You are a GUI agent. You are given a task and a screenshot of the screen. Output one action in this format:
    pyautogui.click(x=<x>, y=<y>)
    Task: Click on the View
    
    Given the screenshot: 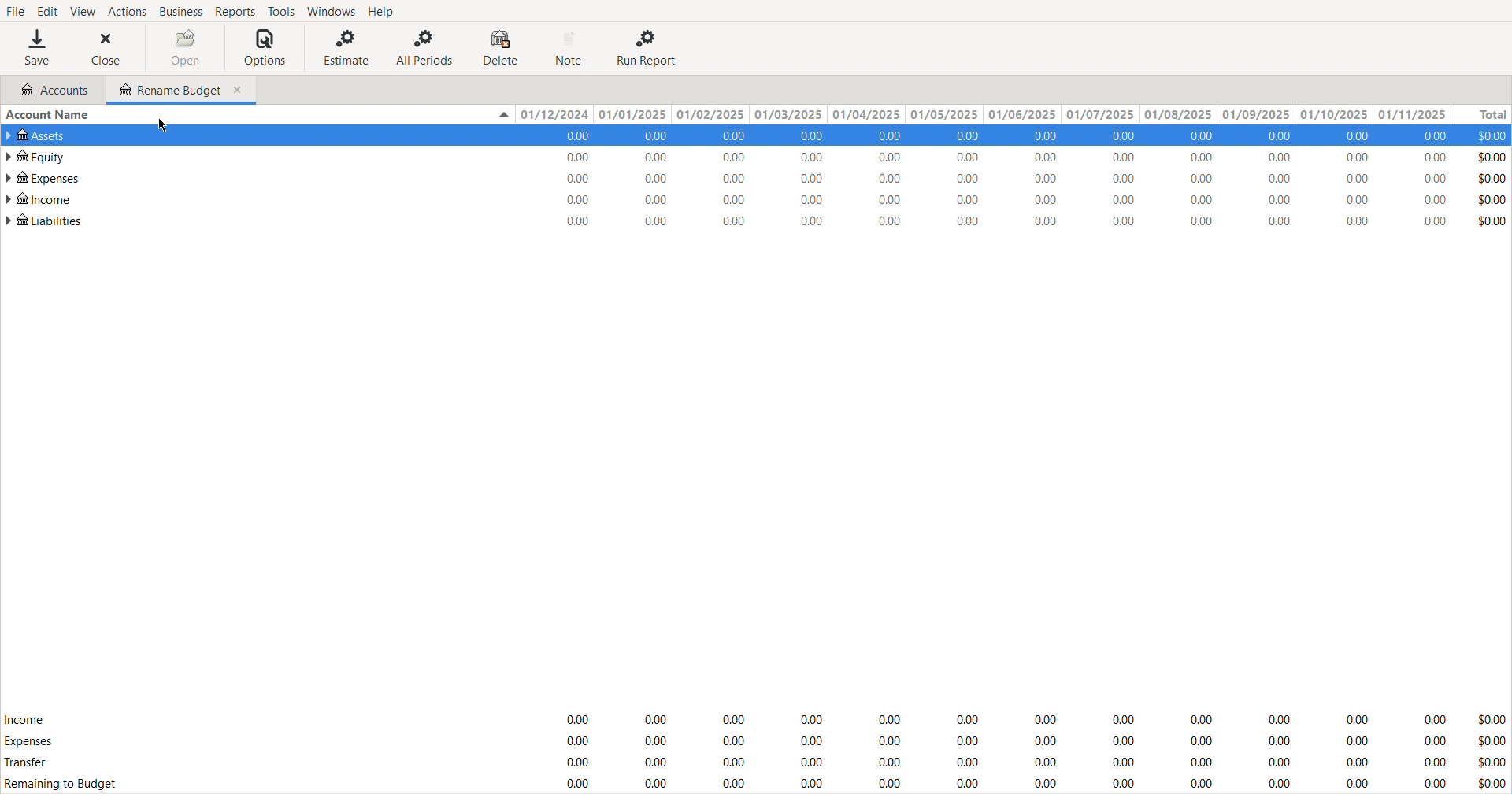 What is the action you would take?
    pyautogui.click(x=81, y=10)
    